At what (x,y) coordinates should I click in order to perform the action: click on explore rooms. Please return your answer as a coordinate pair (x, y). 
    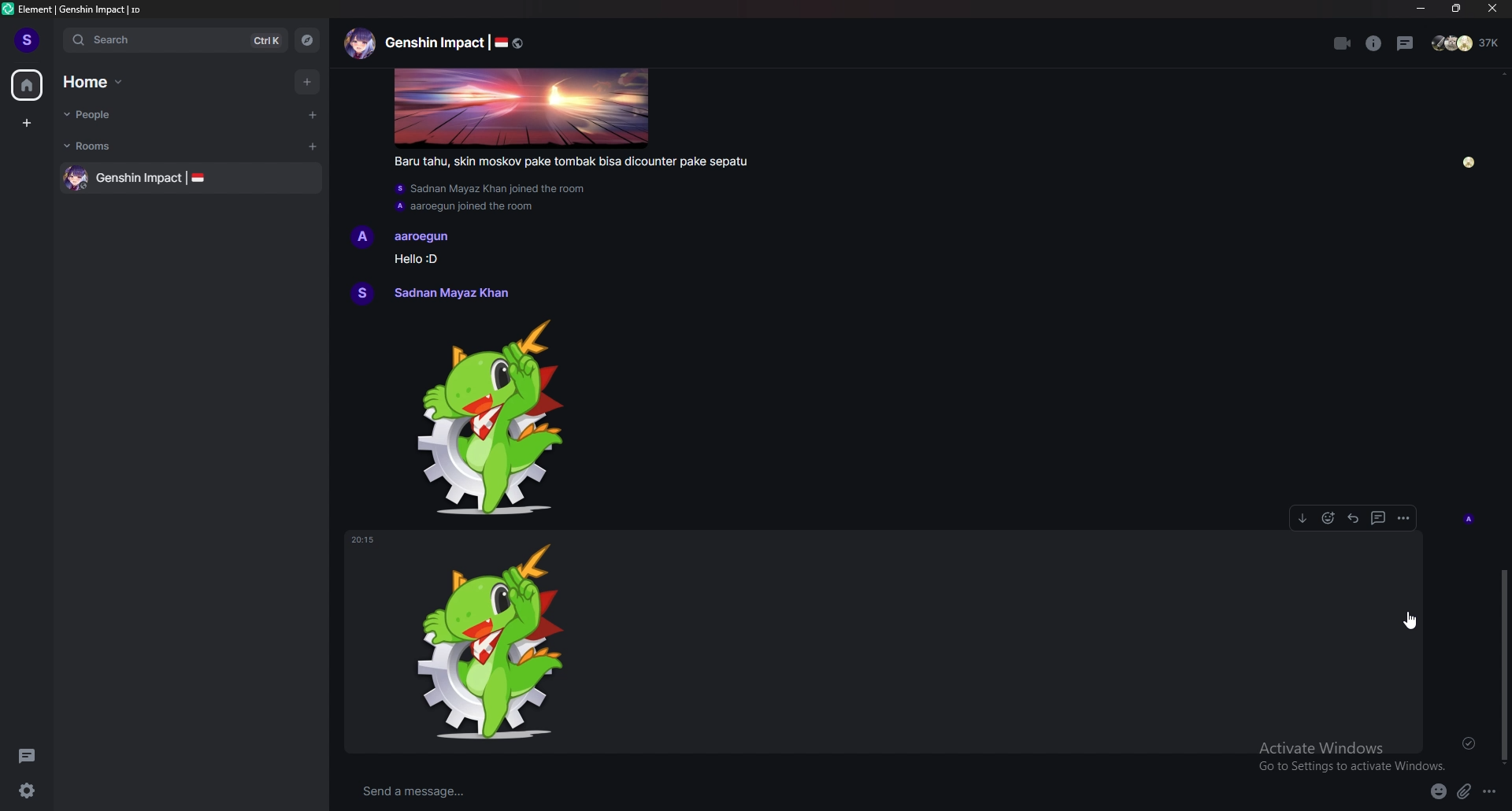
    Looking at the image, I should click on (306, 40).